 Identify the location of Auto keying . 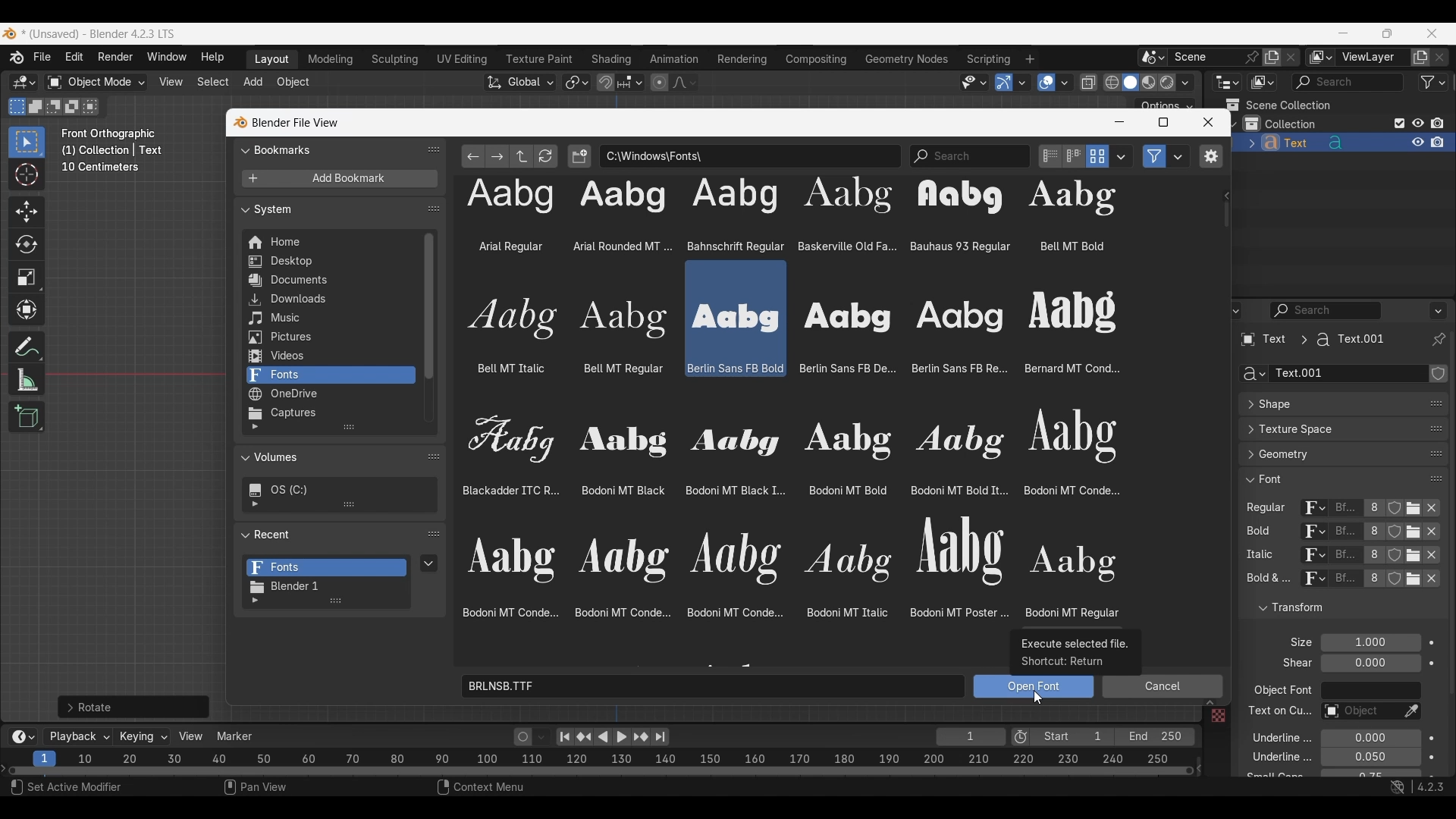
(523, 737).